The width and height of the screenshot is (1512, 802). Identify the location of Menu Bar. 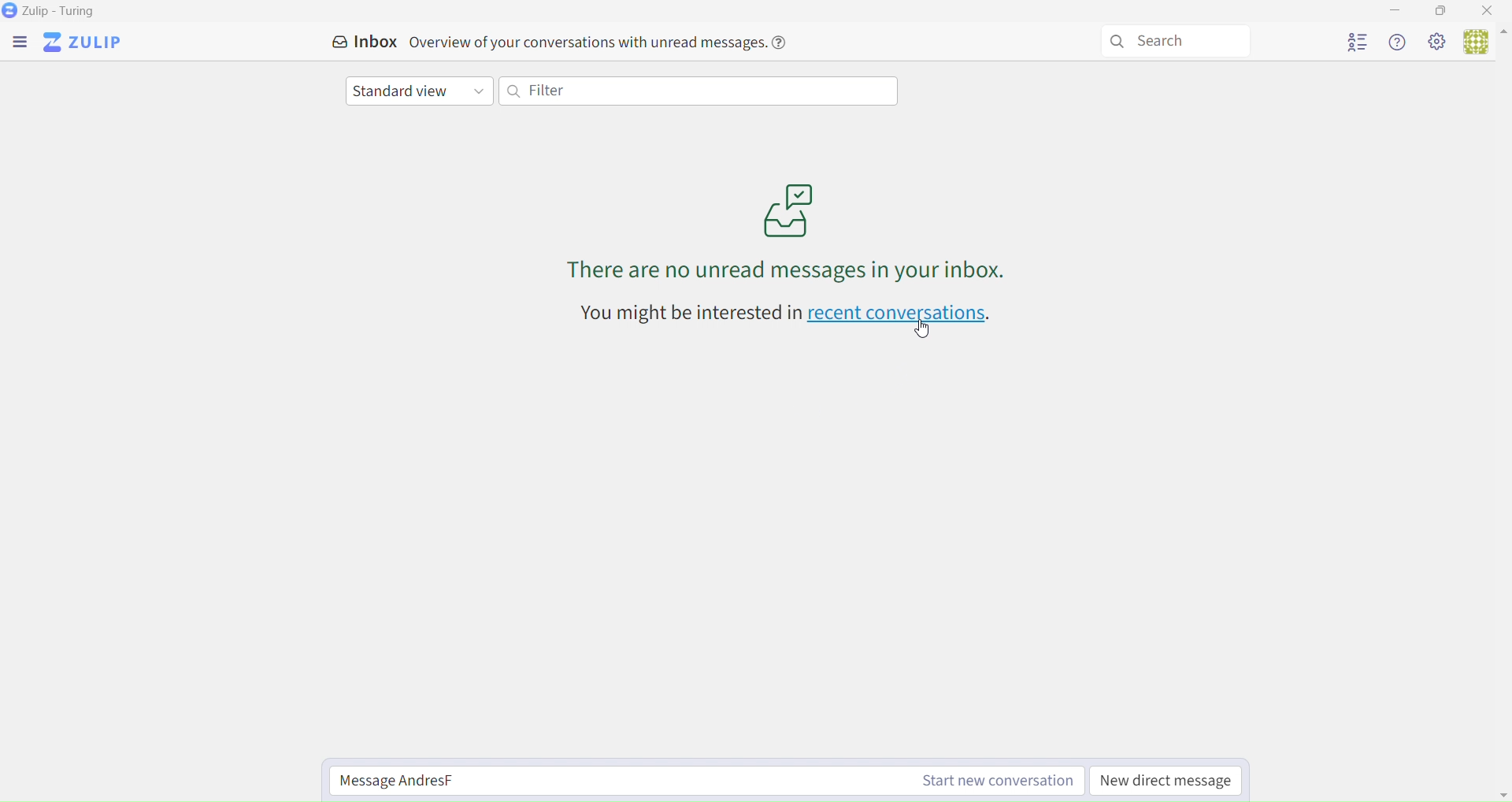
(18, 41).